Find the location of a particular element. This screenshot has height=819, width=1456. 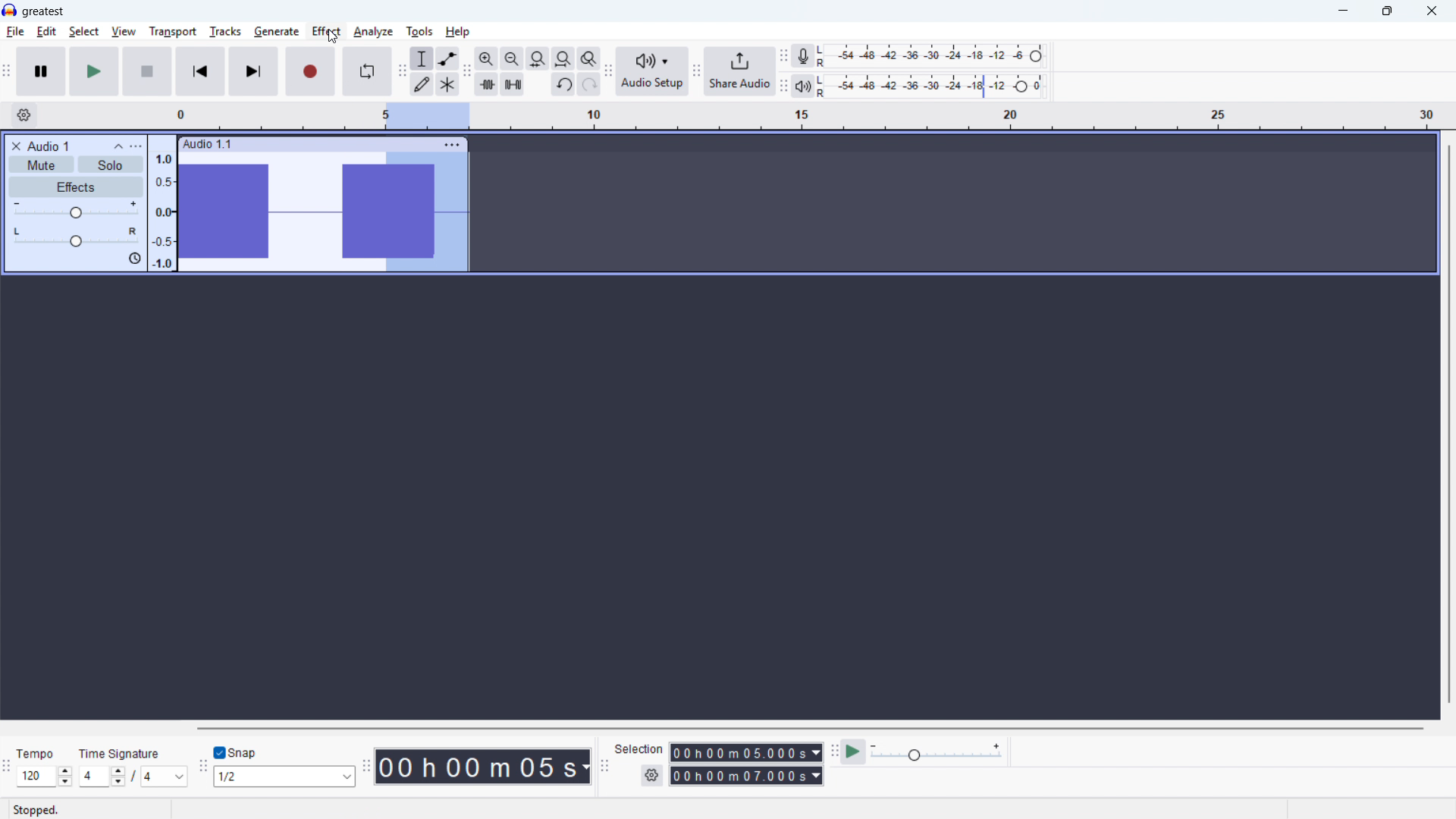

tools is located at coordinates (419, 32).